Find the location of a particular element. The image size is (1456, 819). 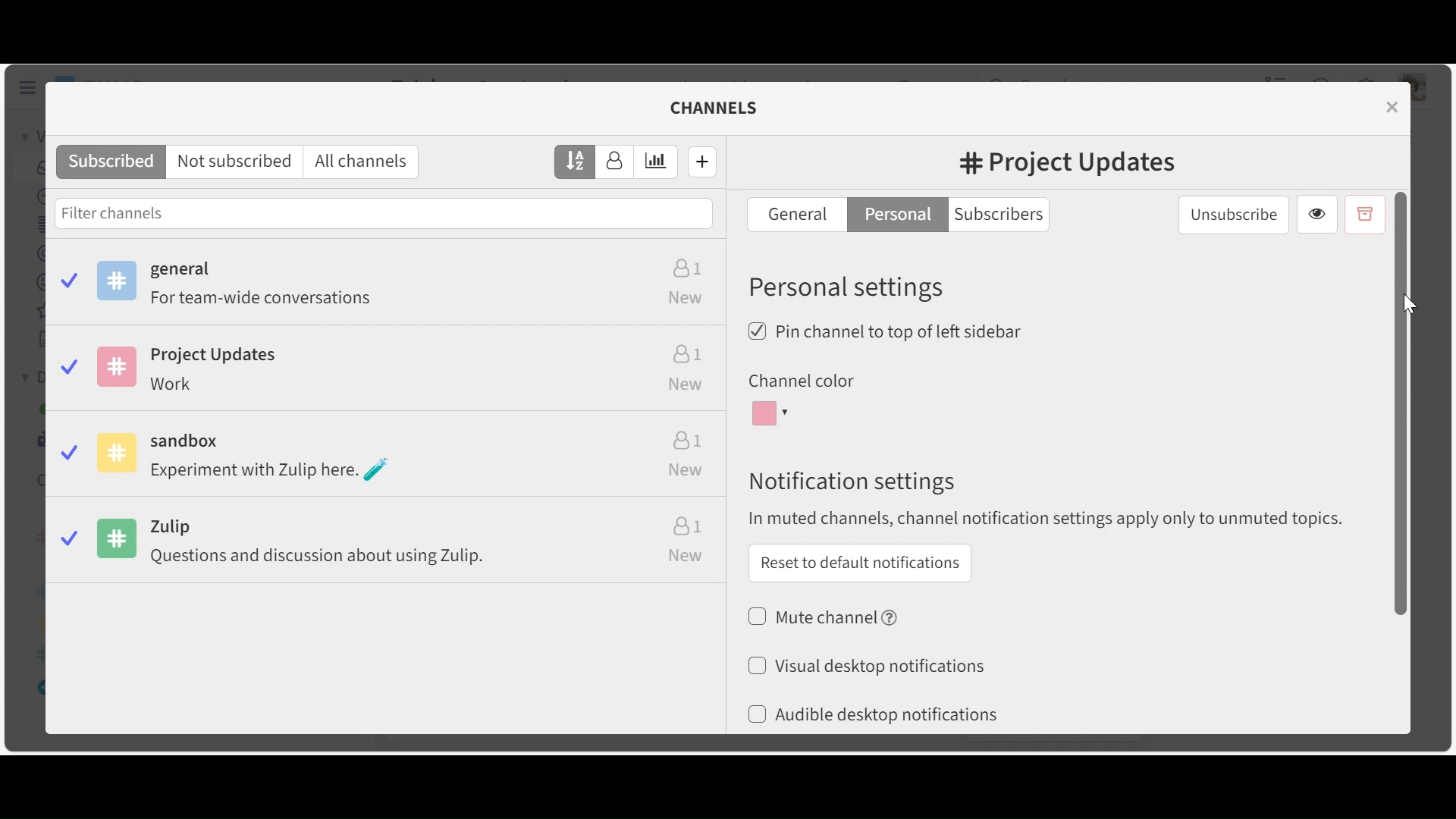

Reset to default notifications is located at coordinates (861, 563).